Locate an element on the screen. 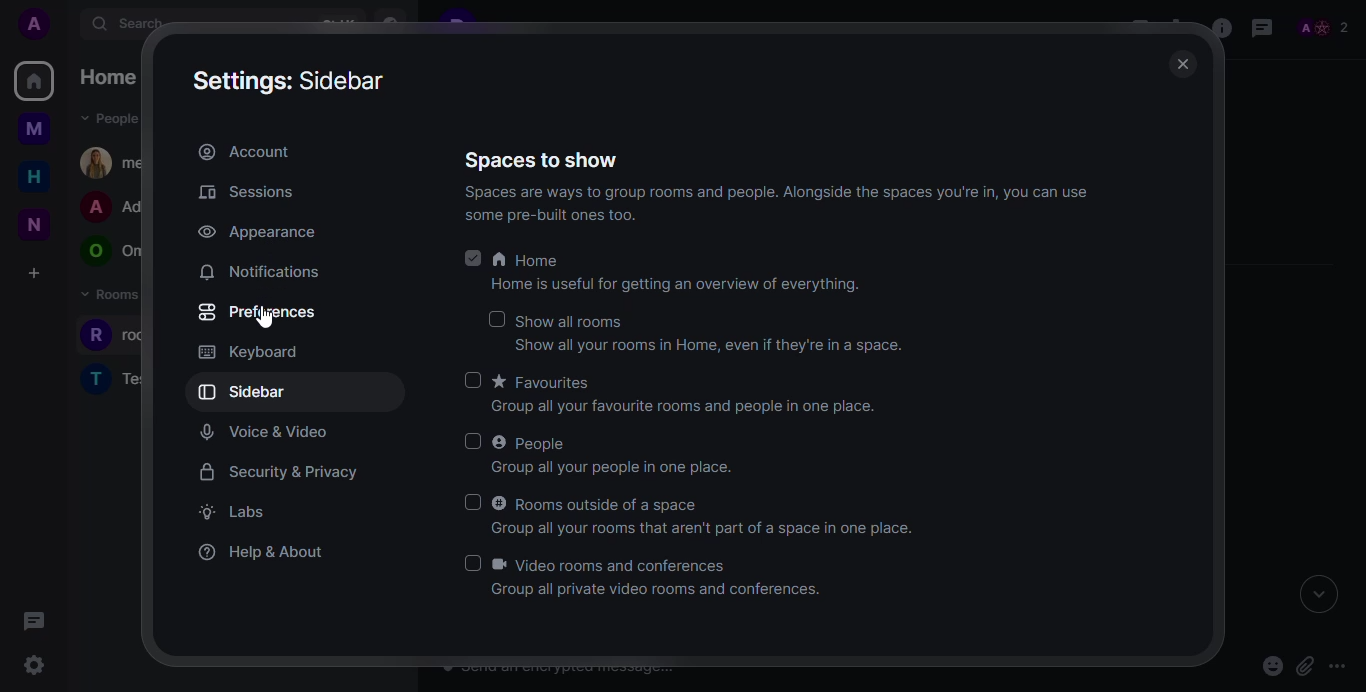 This screenshot has height=692, width=1366. favorites is located at coordinates (544, 381).